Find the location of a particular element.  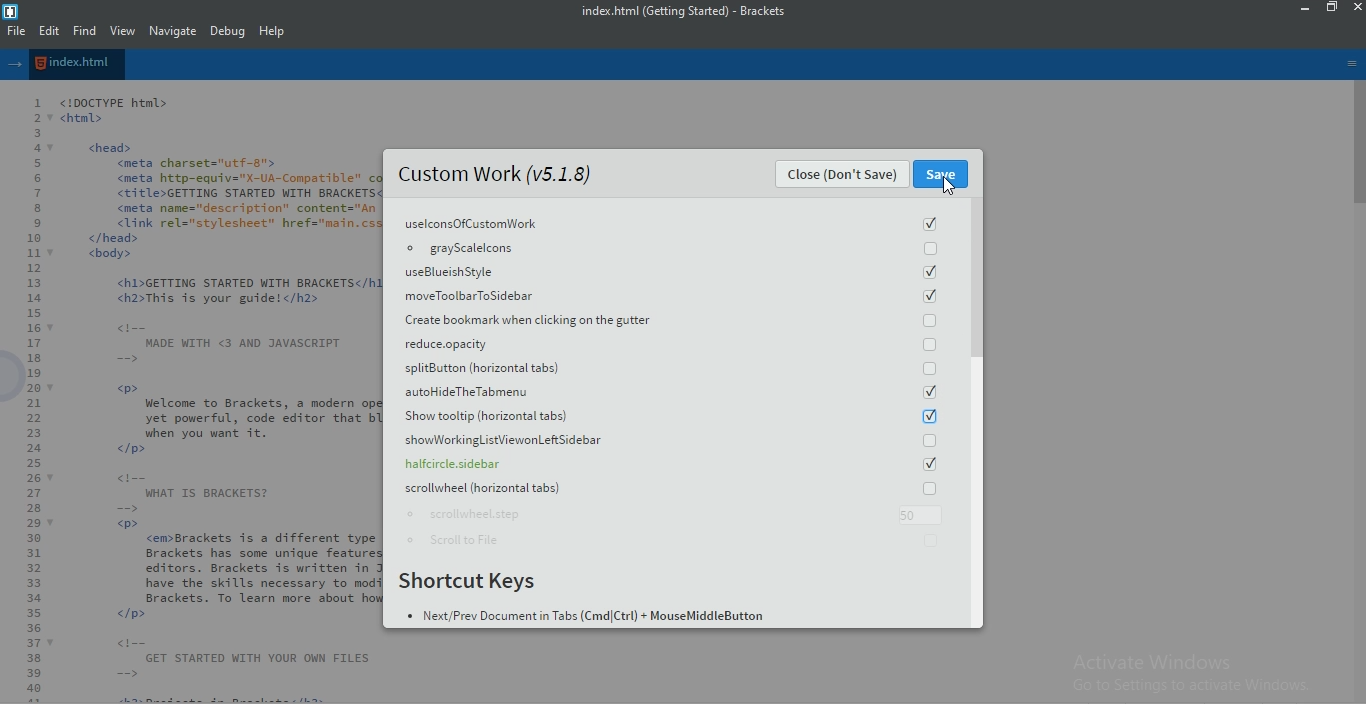

navigate is located at coordinates (174, 31).